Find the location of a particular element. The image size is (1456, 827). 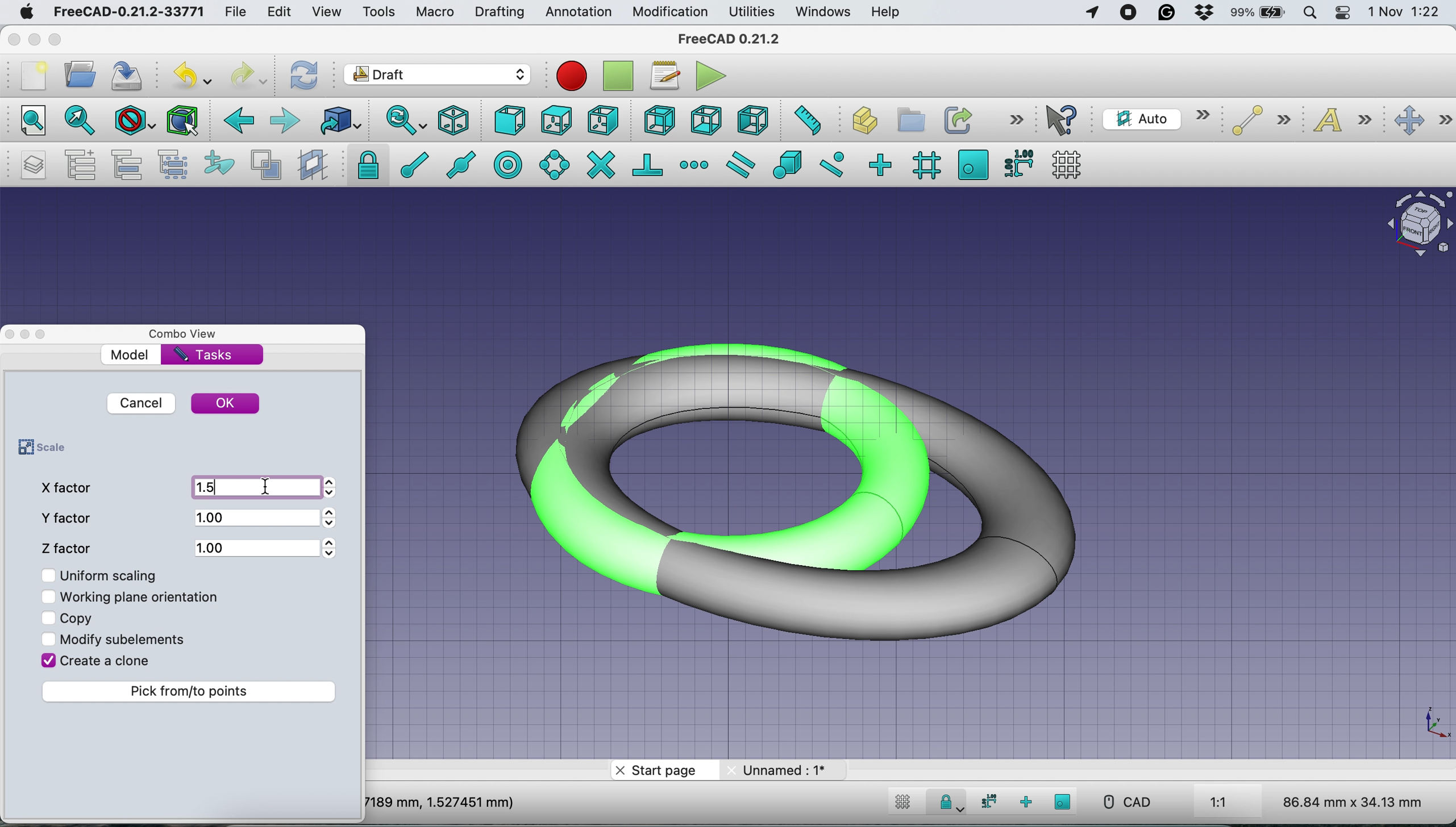

snap dimensions is located at coordinates (1017, 163).